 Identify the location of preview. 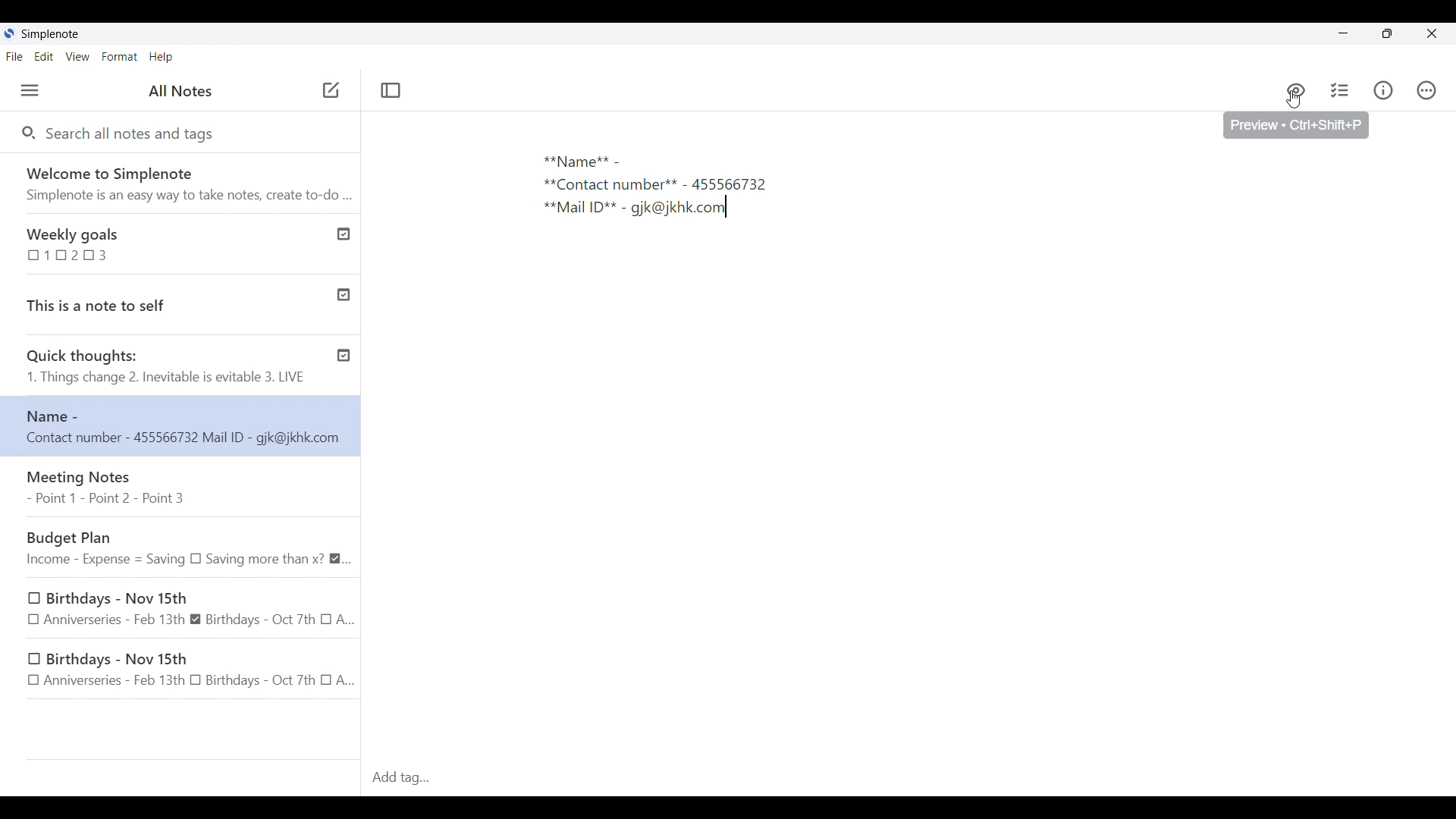
(1296, 91).